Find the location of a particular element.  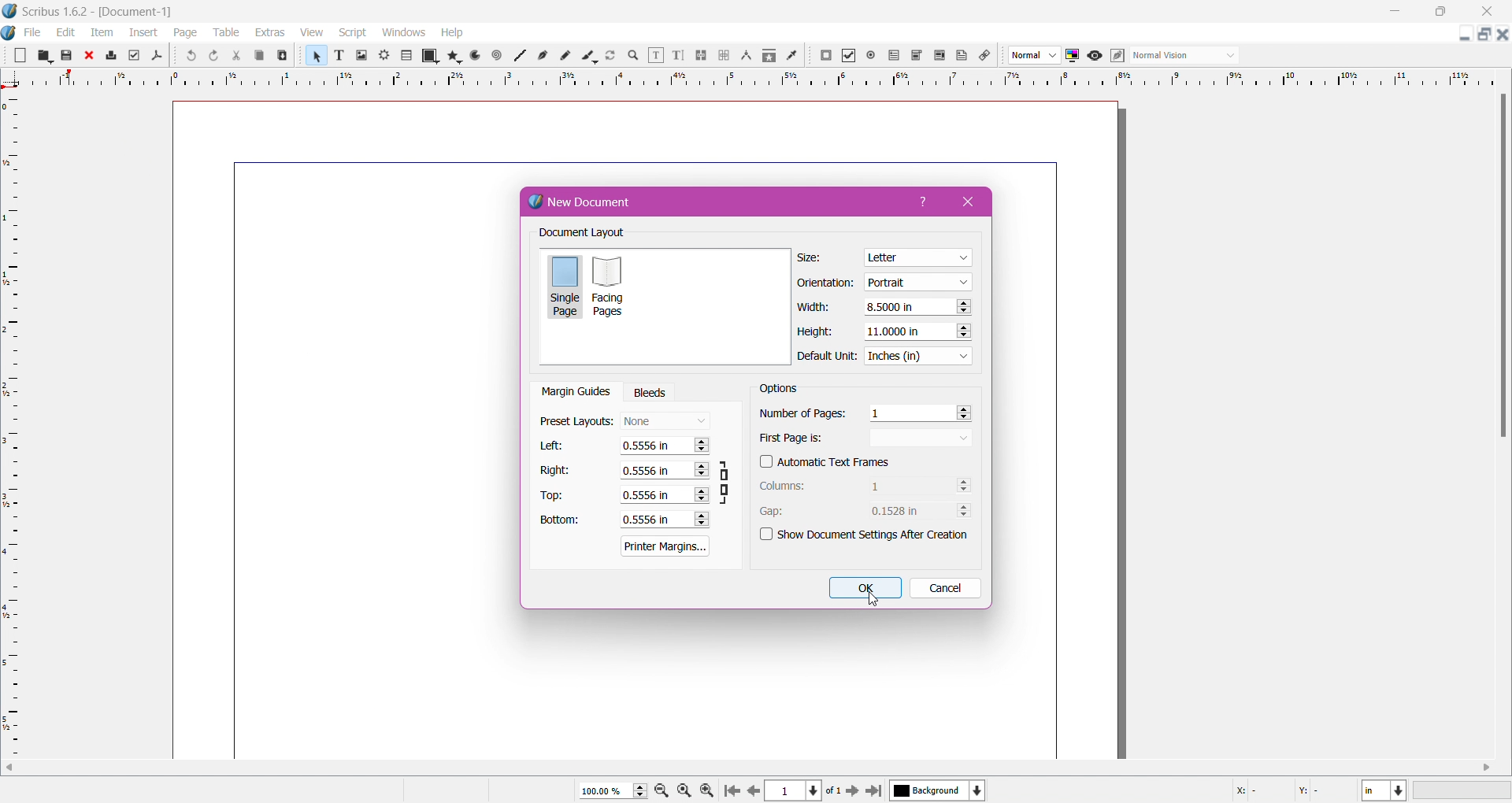

icon is located at coordinates (769, 58).